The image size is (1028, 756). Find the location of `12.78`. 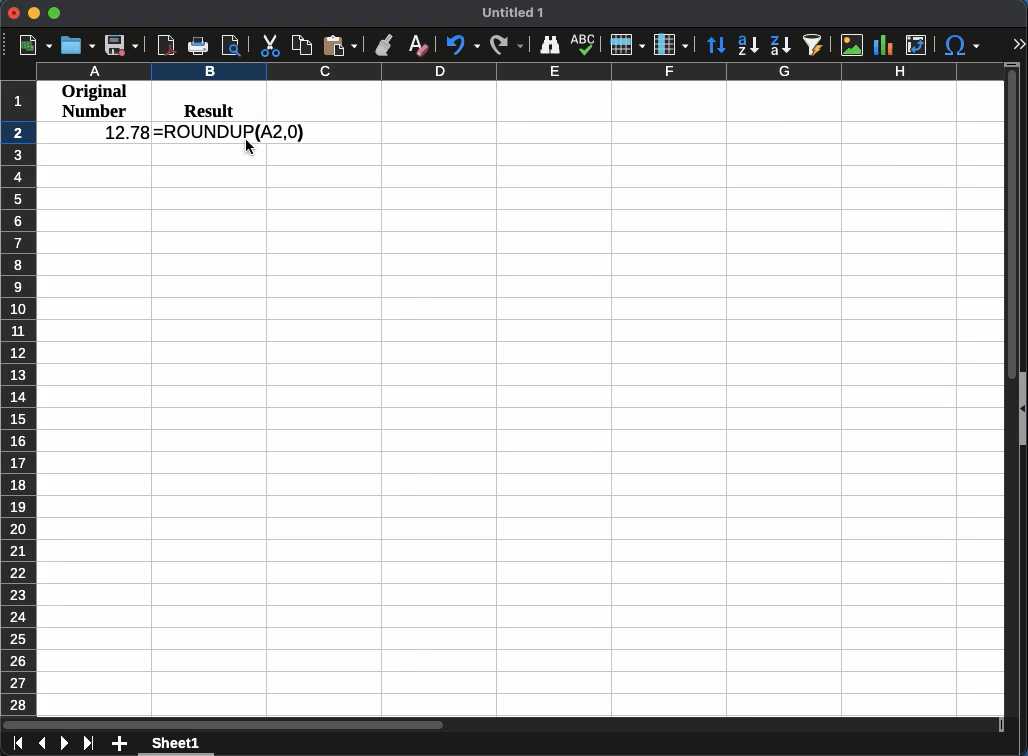

12.78 is located at coordinates (125, 131).